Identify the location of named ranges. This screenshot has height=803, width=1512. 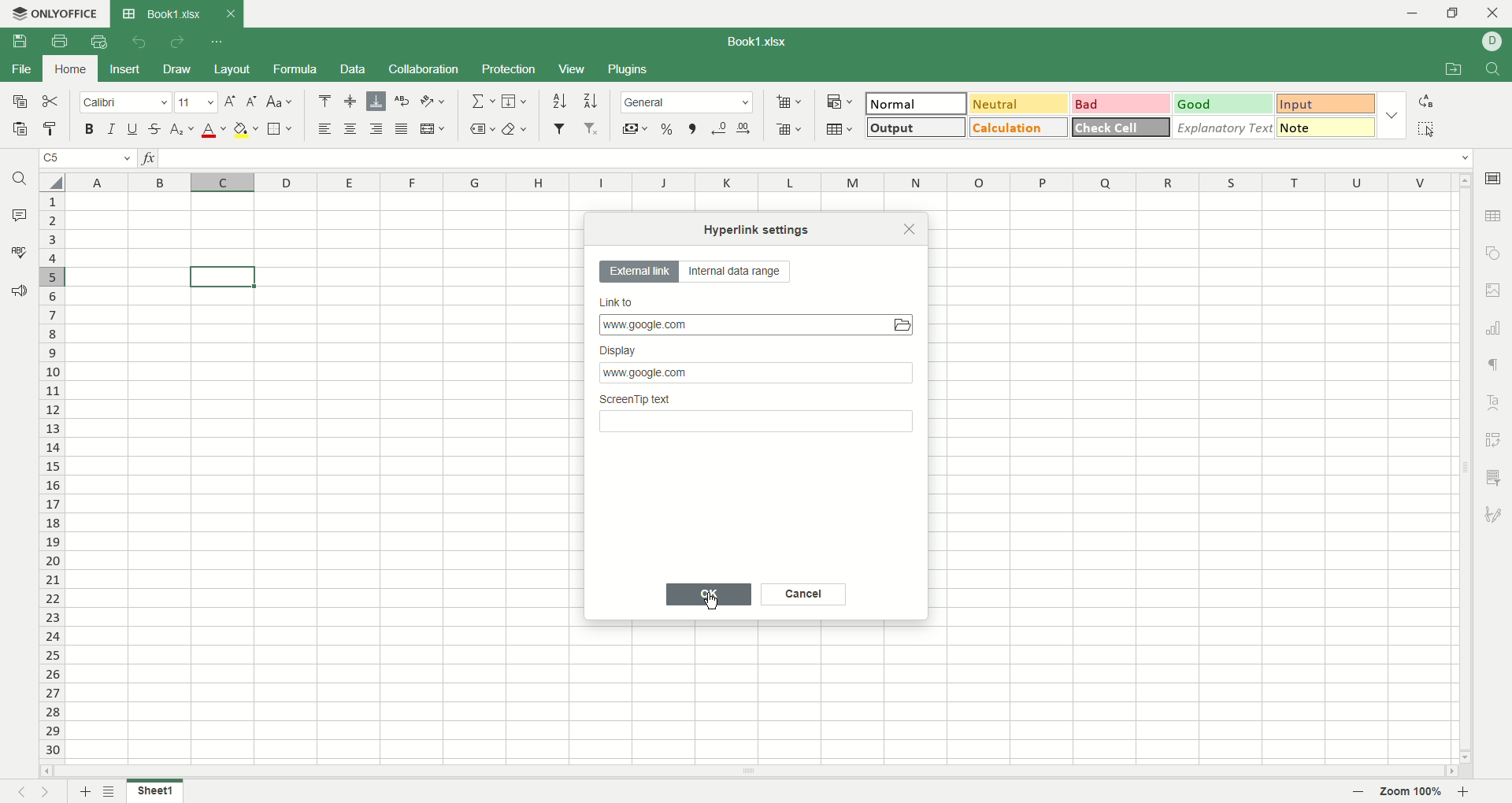
(482, 128).